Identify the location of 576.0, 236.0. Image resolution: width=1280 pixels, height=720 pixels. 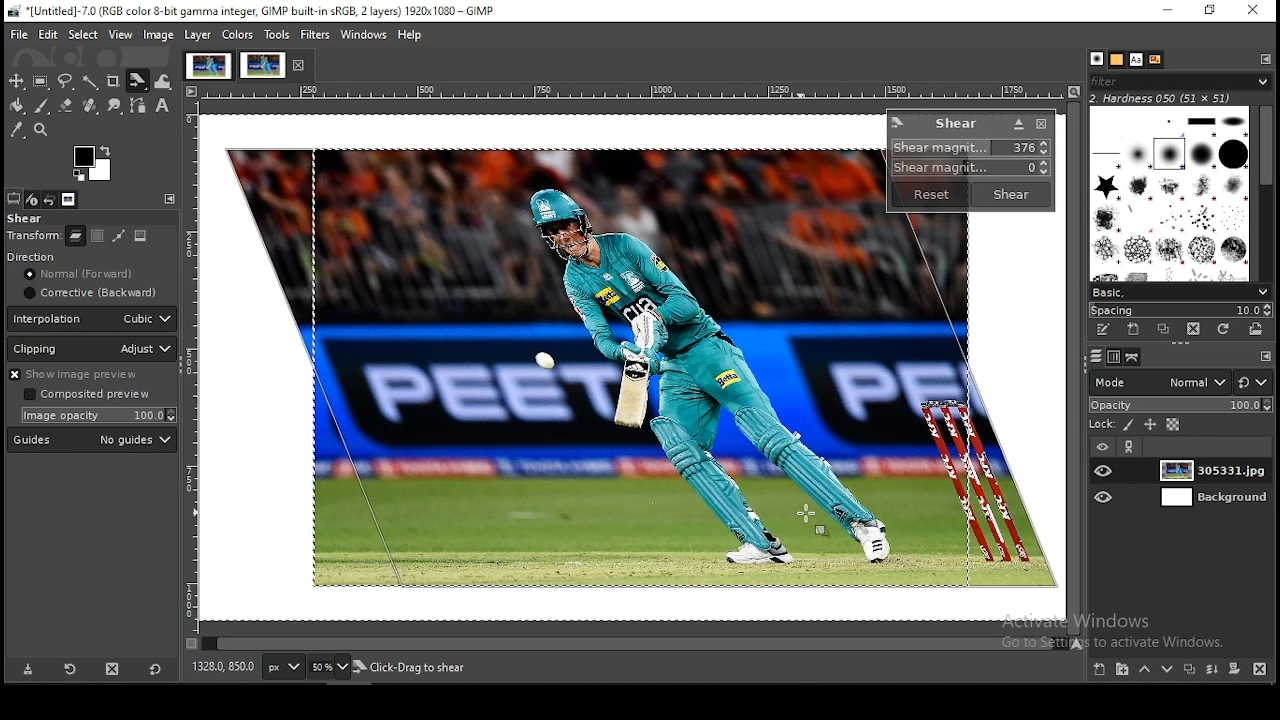
(223, 666).